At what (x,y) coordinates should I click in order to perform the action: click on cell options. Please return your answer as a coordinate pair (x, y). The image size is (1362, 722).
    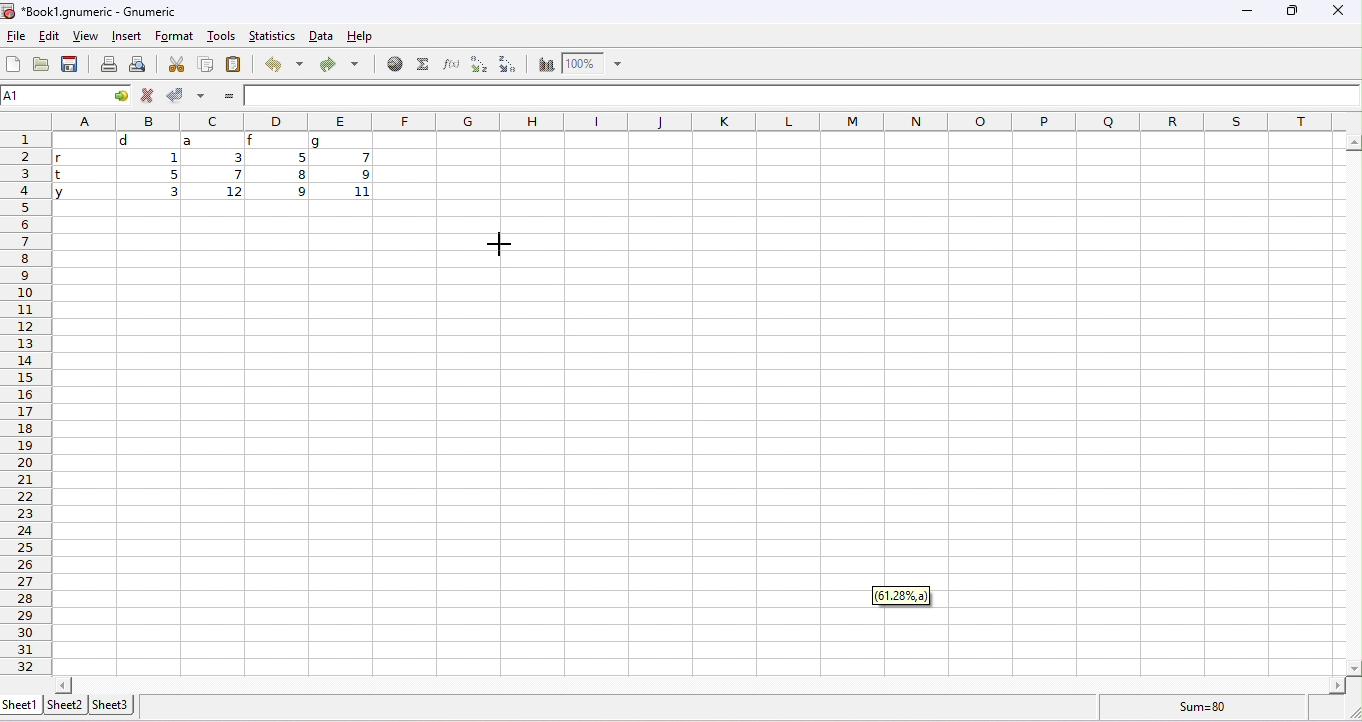
    Looking at the image, I should click on (117, 96).